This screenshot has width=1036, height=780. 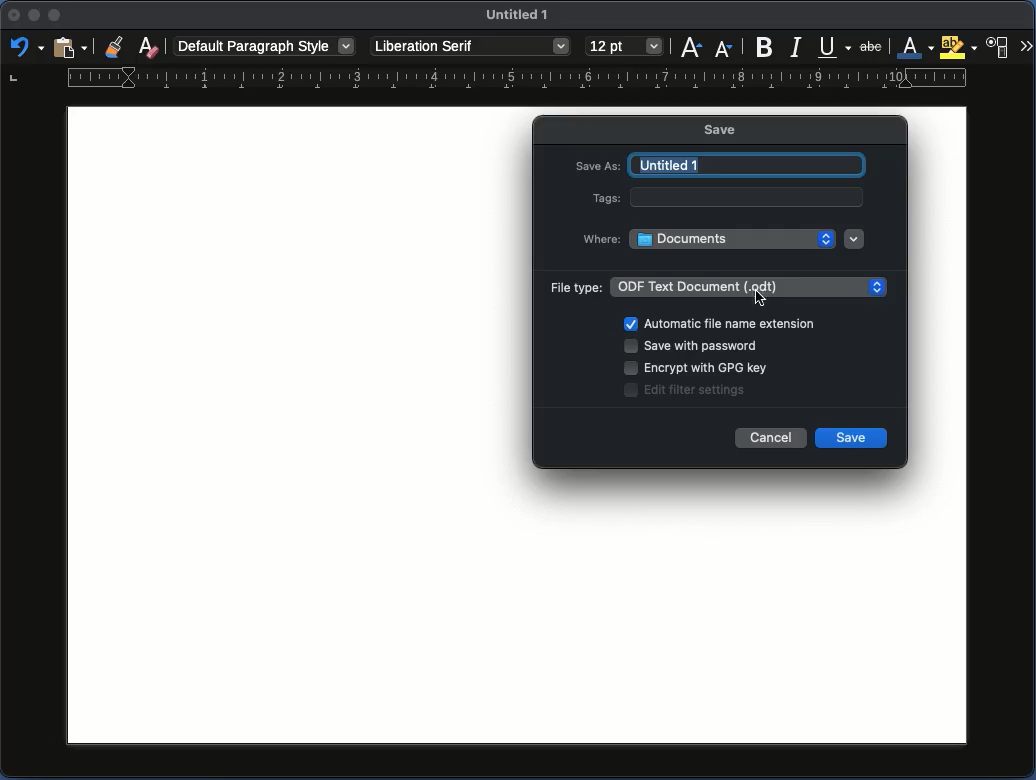 What do you see at coordinates (699, 368) in the screenshot?
I see `Encrypt with GPG key` at bounding box center [699, 368].